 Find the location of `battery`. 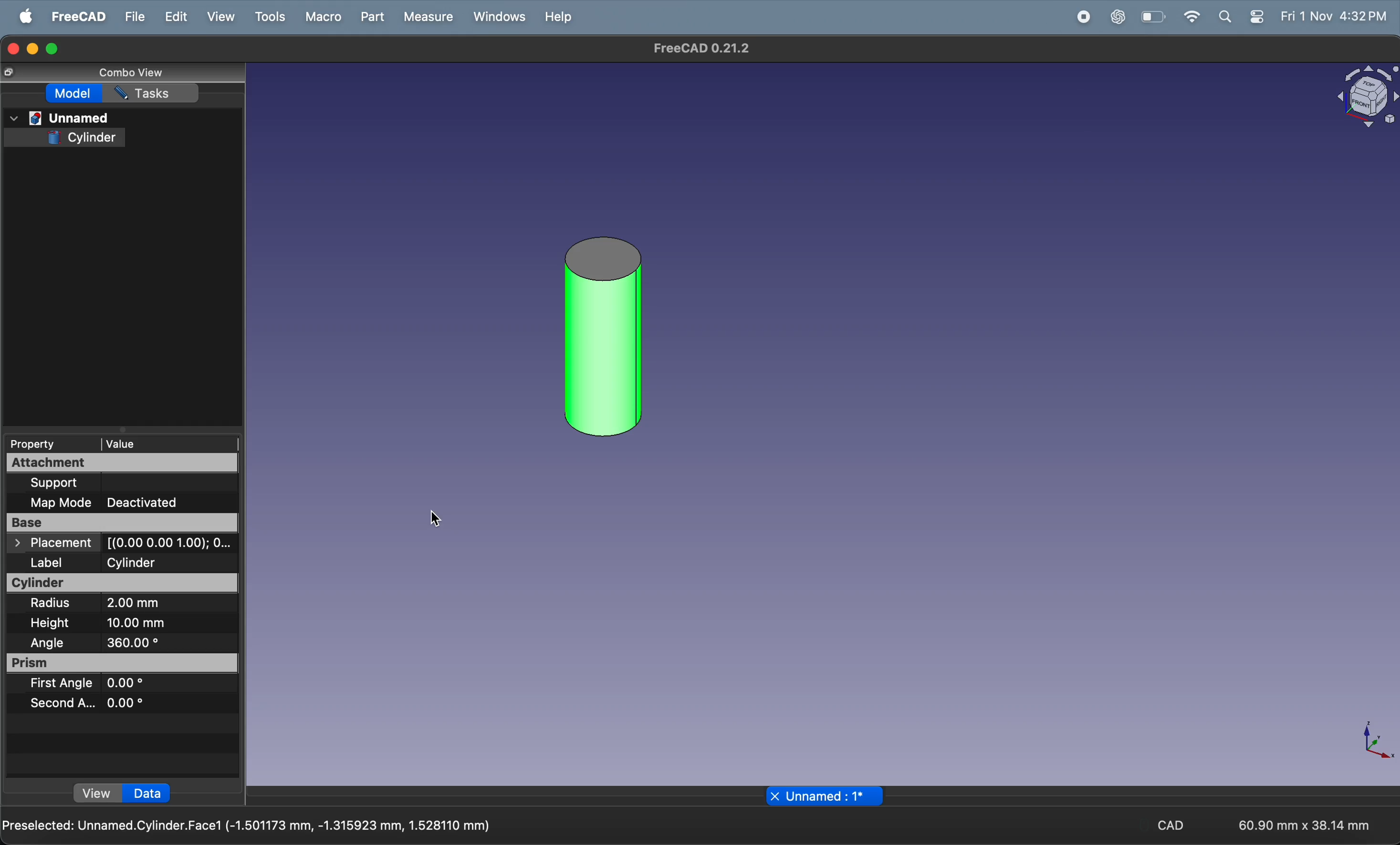

battery is located at coordinates (1152, 18).